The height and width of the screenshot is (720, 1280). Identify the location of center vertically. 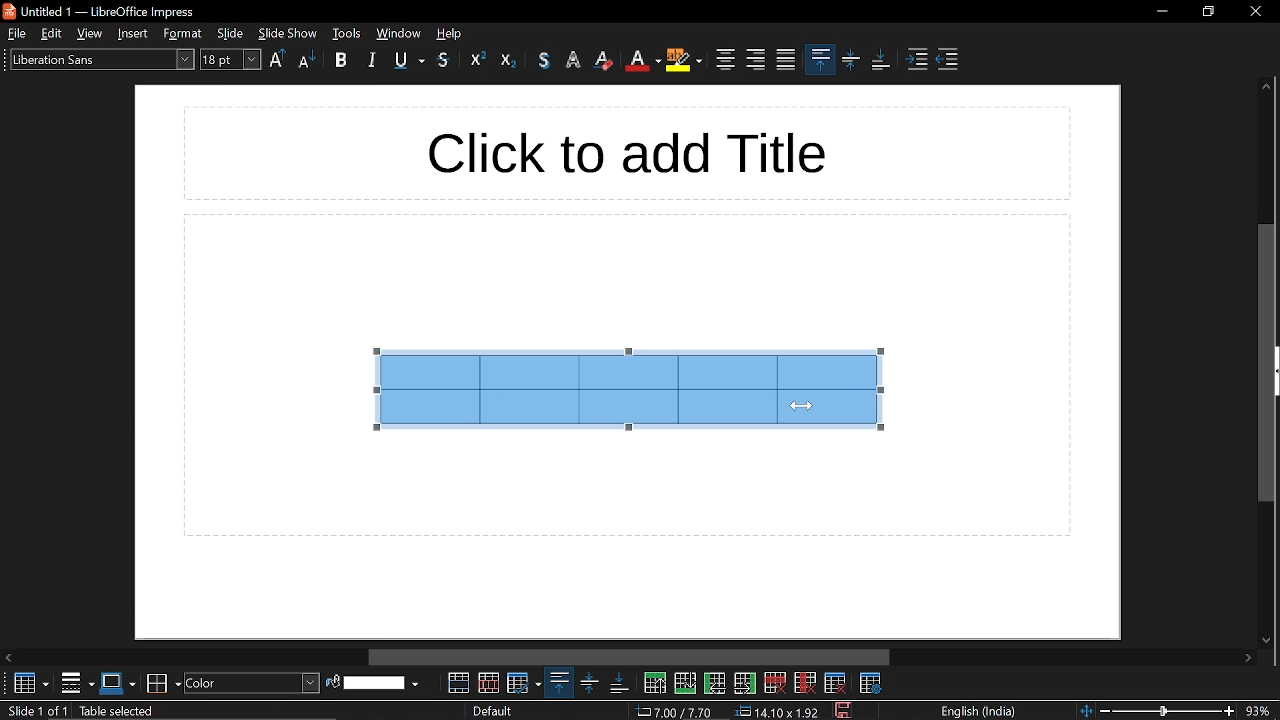
(853, 62).